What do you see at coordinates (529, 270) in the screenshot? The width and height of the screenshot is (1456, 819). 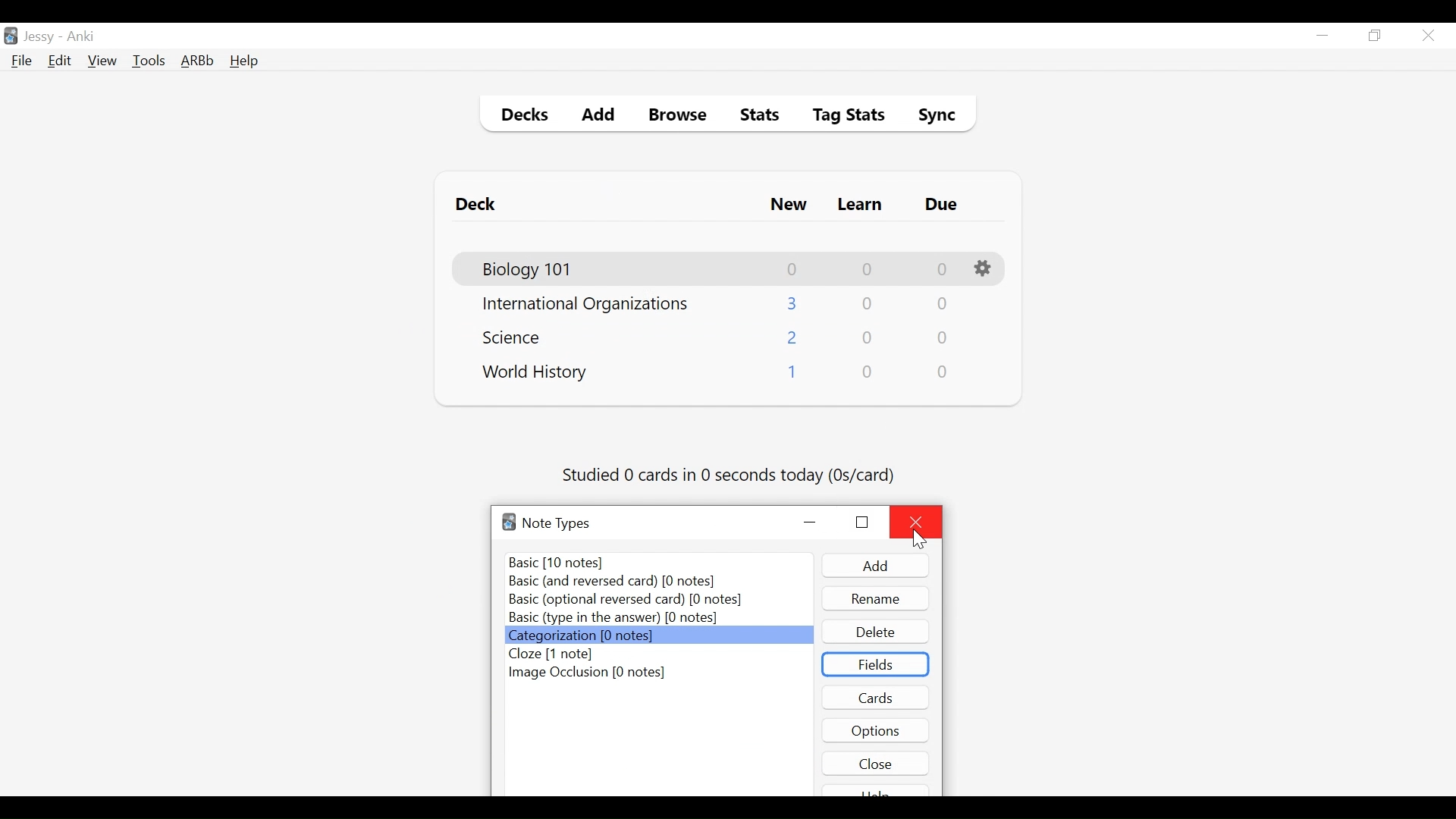 I see `Deck Name` at bounding box center [529, 270].